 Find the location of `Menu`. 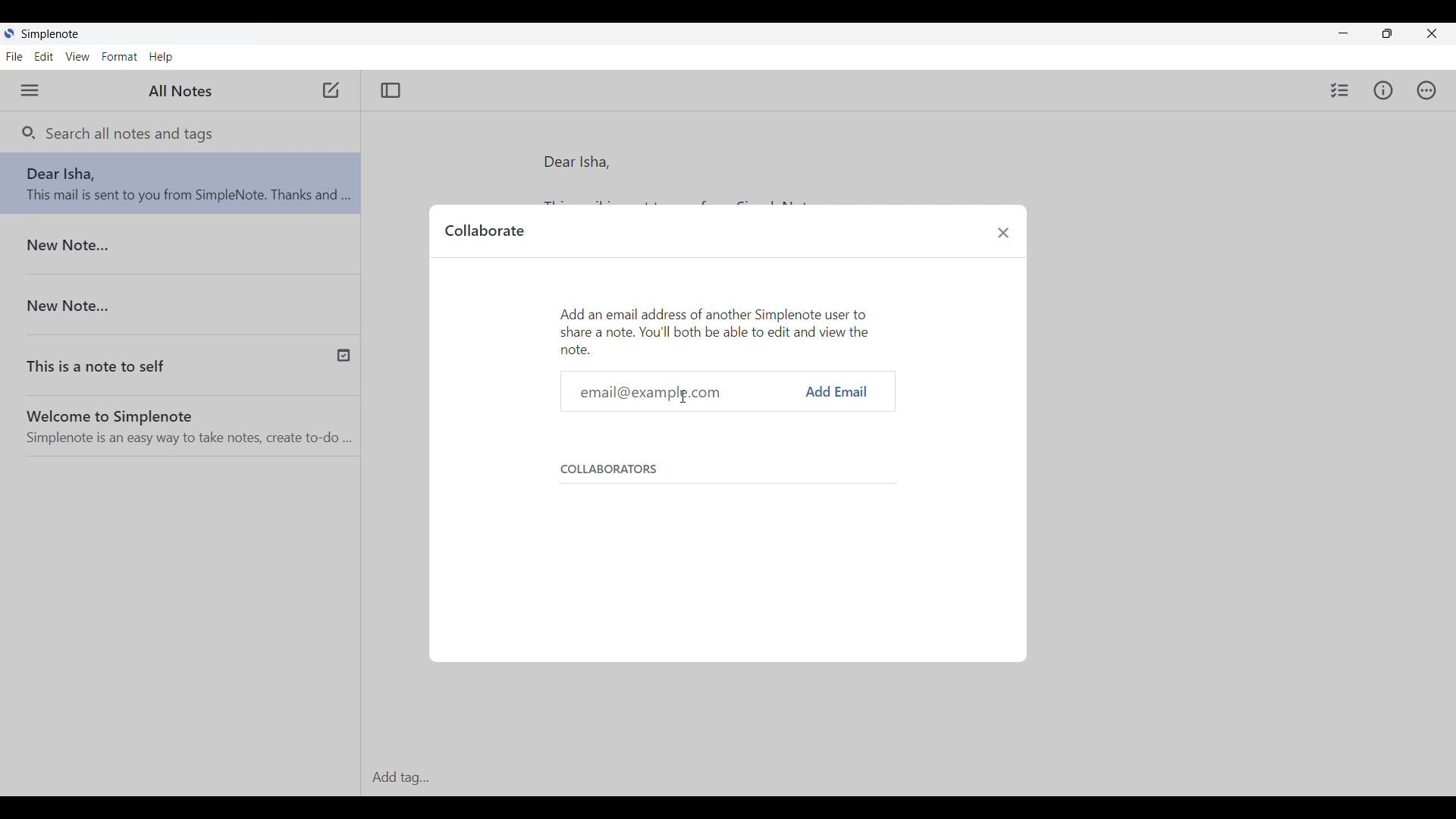

Menu is located at coordinates (29, 90).